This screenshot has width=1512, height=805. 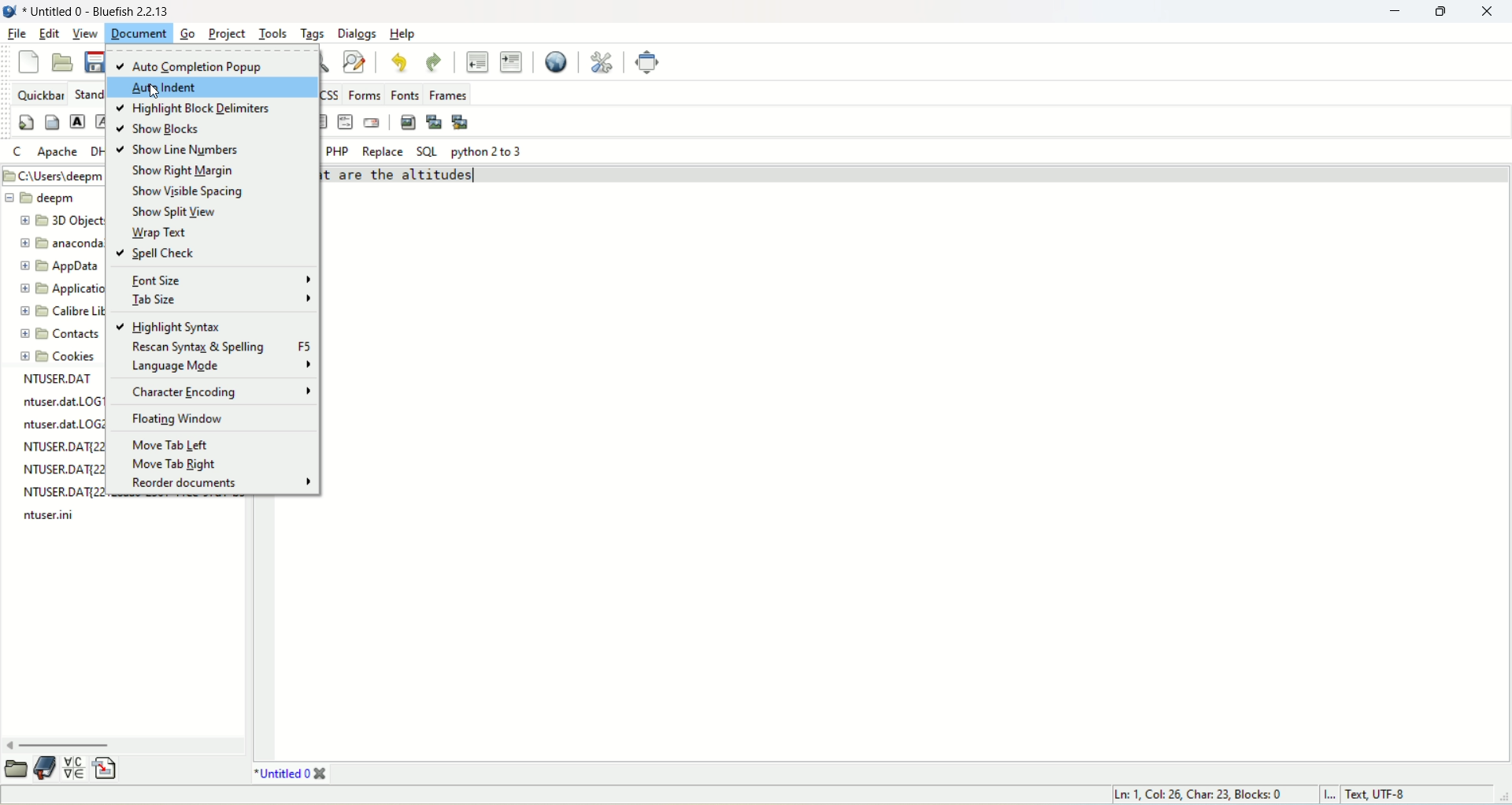 What do you see at coordinates (64, 244) in the screenshot?
I see `anaconda` at bounding box center [64, 244].